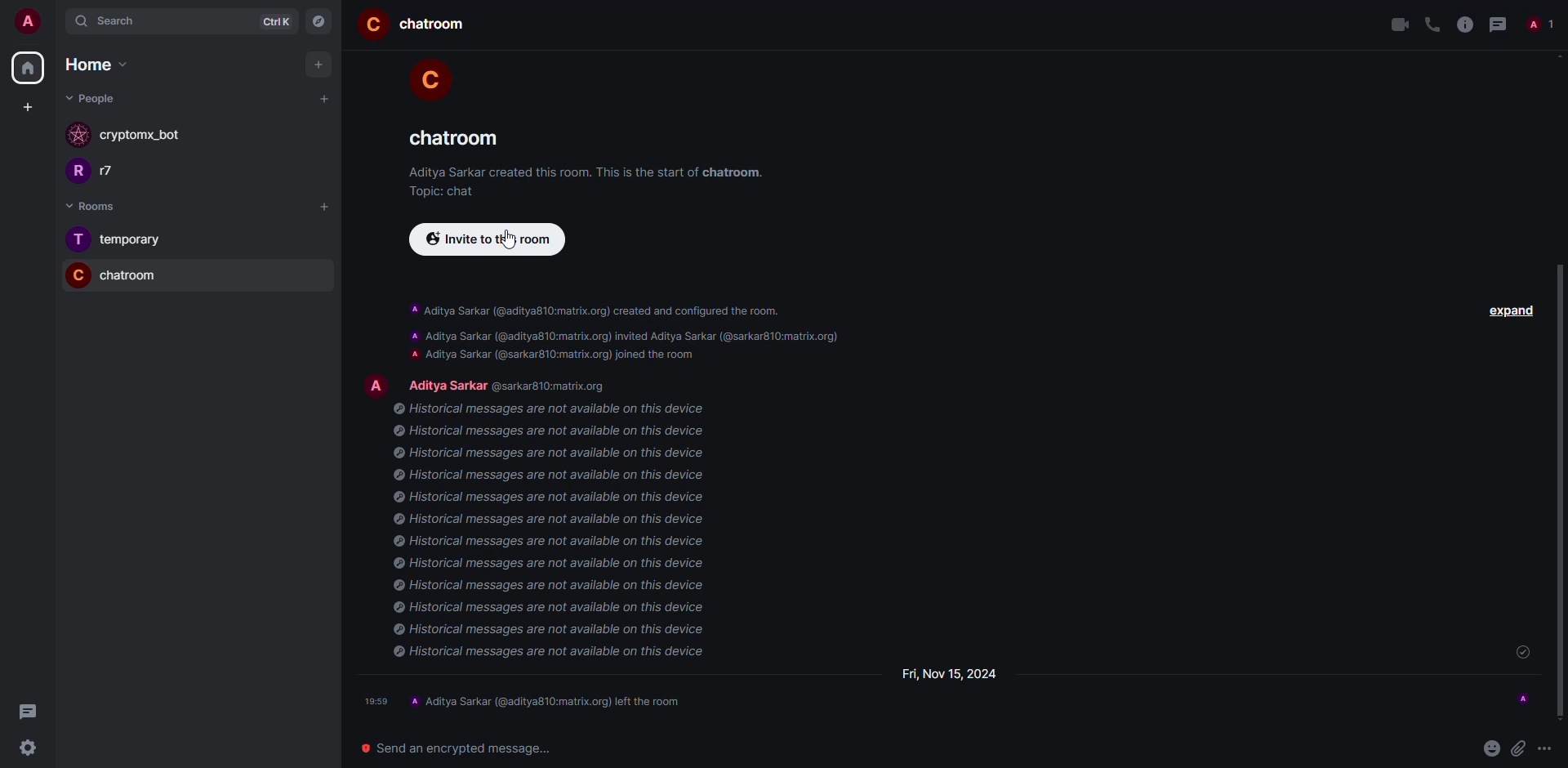 The image size is (1568, 768). I want to click on info, so click(634, 333).